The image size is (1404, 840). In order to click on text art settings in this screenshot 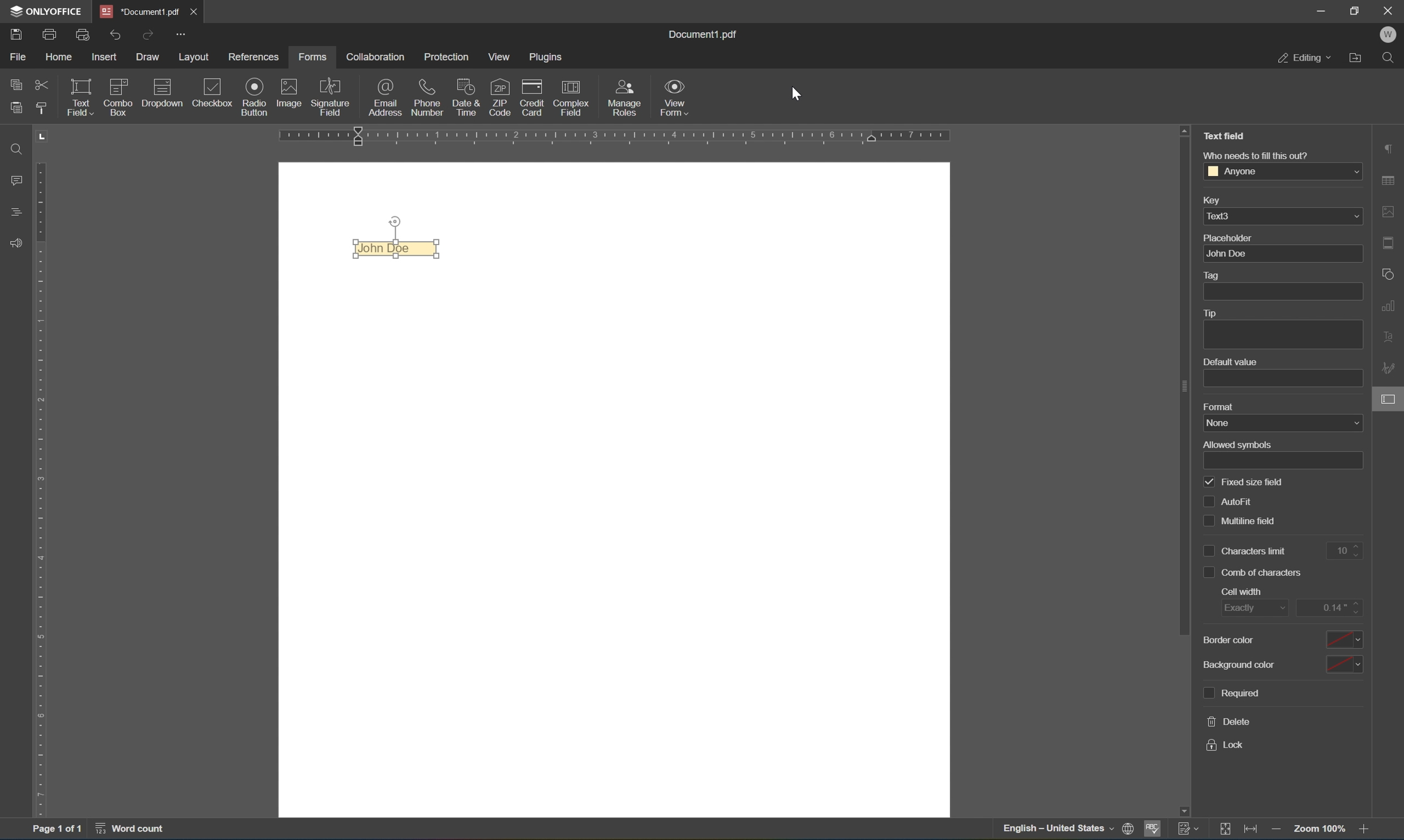, I will do `click(1393, 340)`.